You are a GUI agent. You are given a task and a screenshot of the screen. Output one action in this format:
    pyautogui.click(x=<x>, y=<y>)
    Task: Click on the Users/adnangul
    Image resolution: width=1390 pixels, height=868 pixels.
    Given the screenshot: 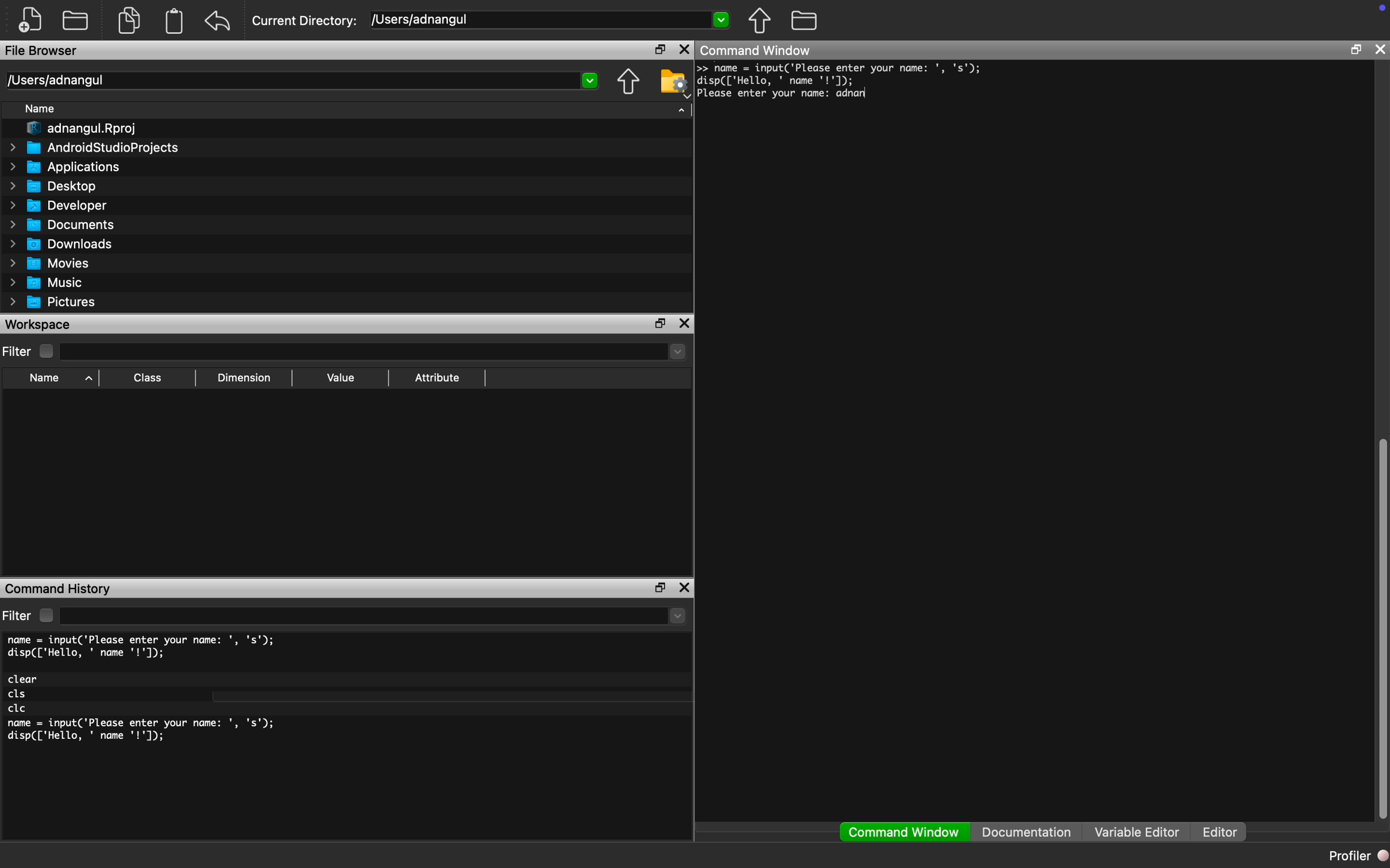 What is the action you would take?
    pyautogui.click(x=55, y=80)
    